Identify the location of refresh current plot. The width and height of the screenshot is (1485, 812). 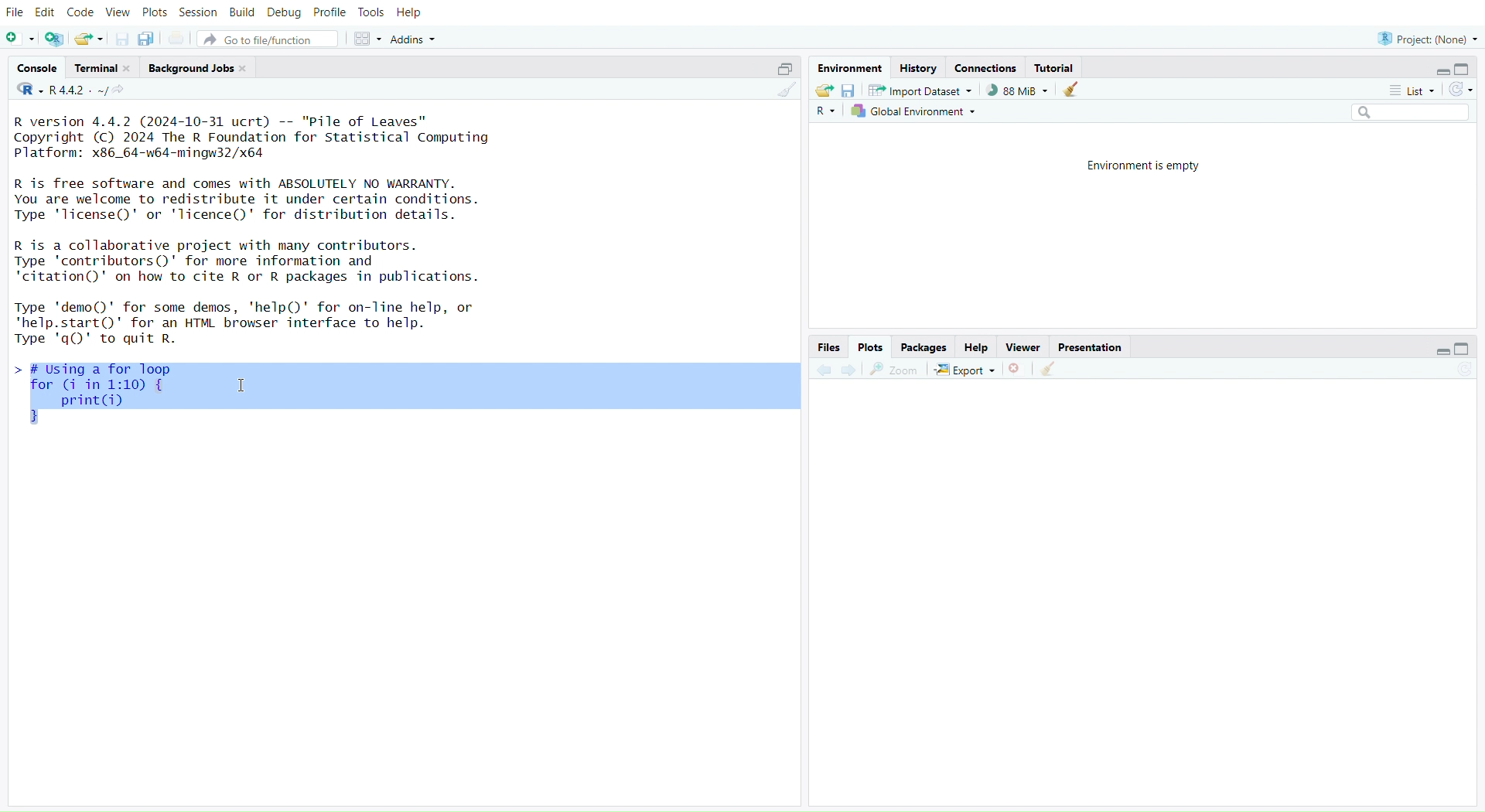
(1458, 374).